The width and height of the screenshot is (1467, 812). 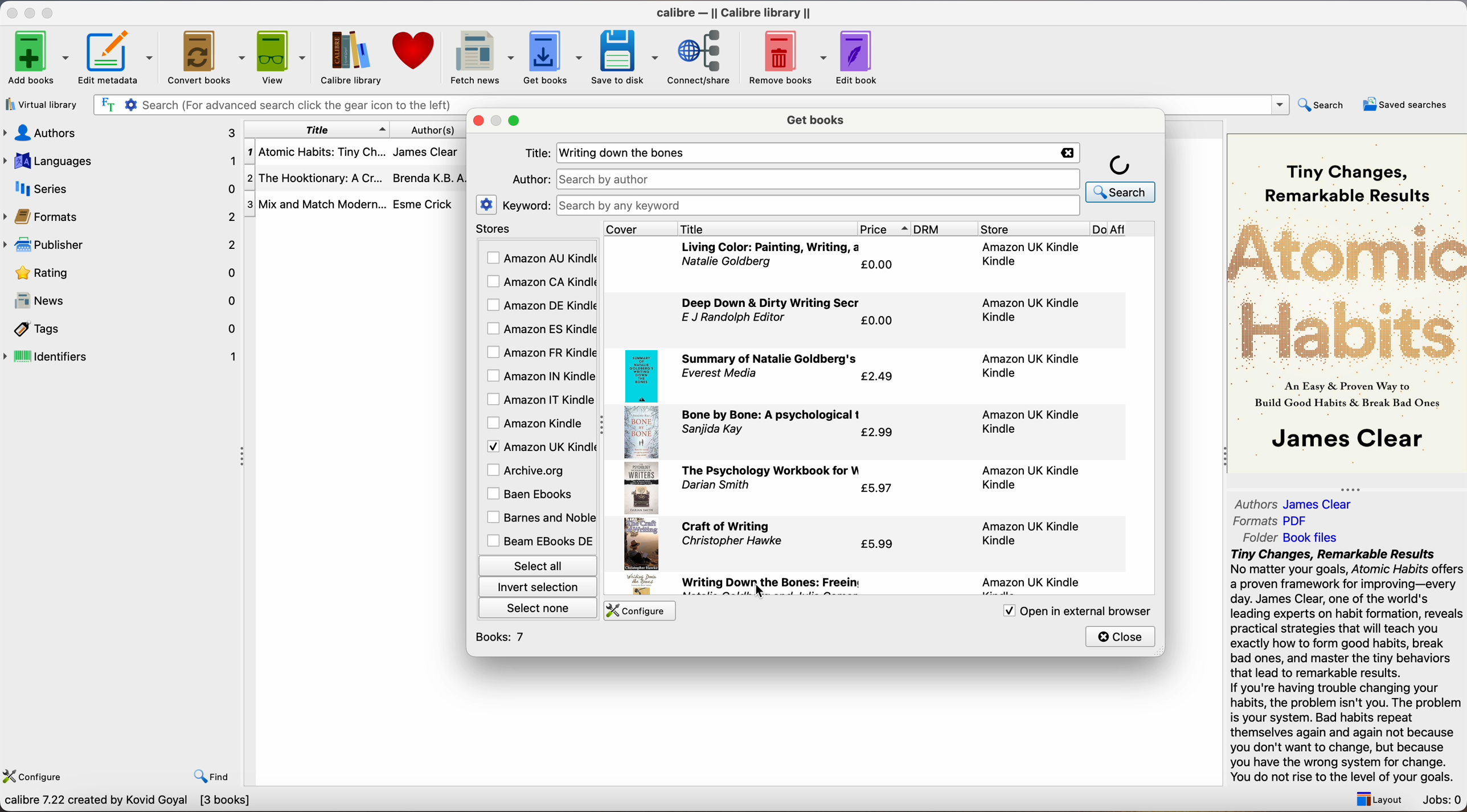 What do you see at coordinates (11, 13) in the screenshot?
I see `close` at bounding box center [11, 13].